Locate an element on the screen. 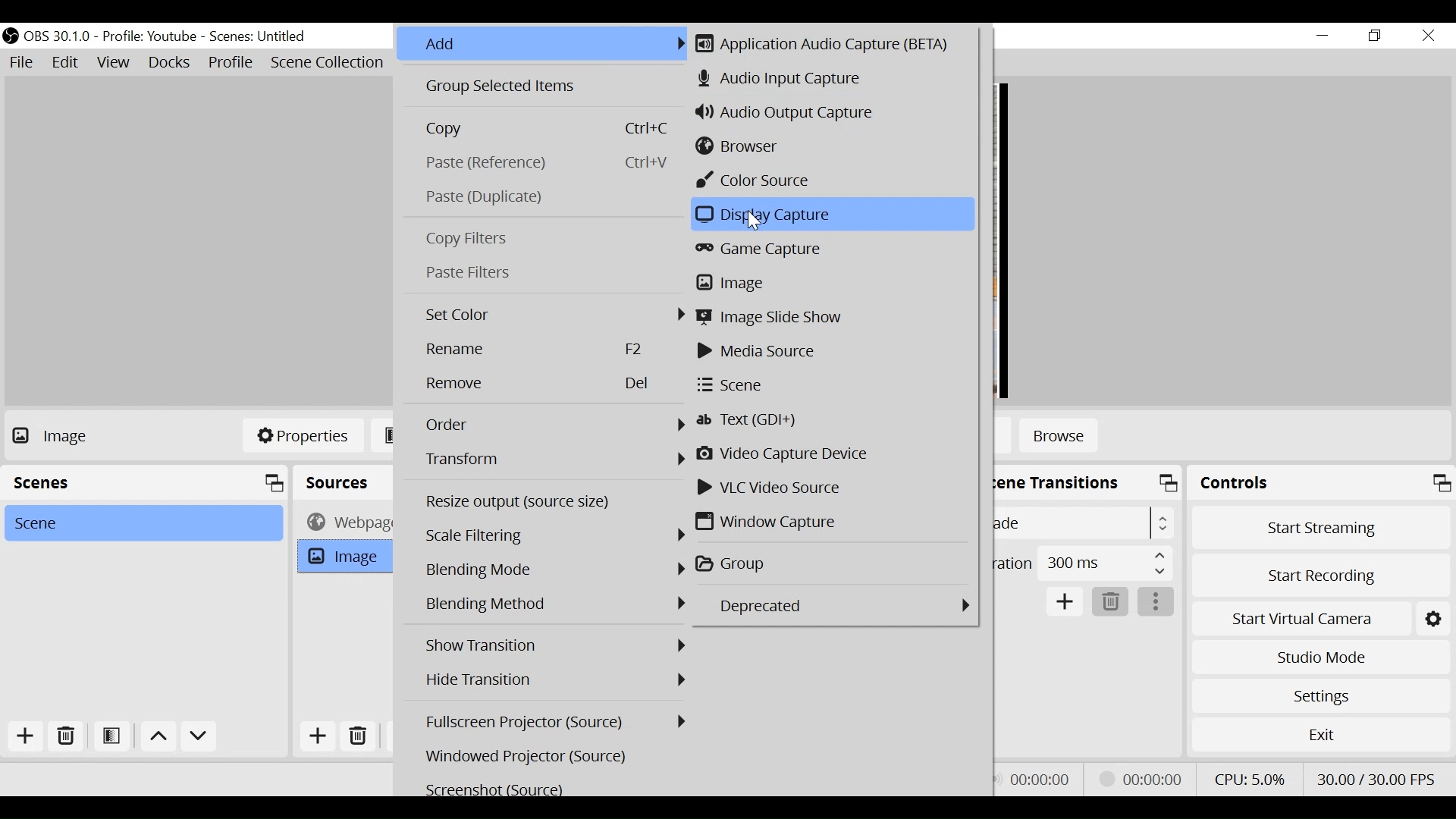  Properties is located at coordinates (303, 435).